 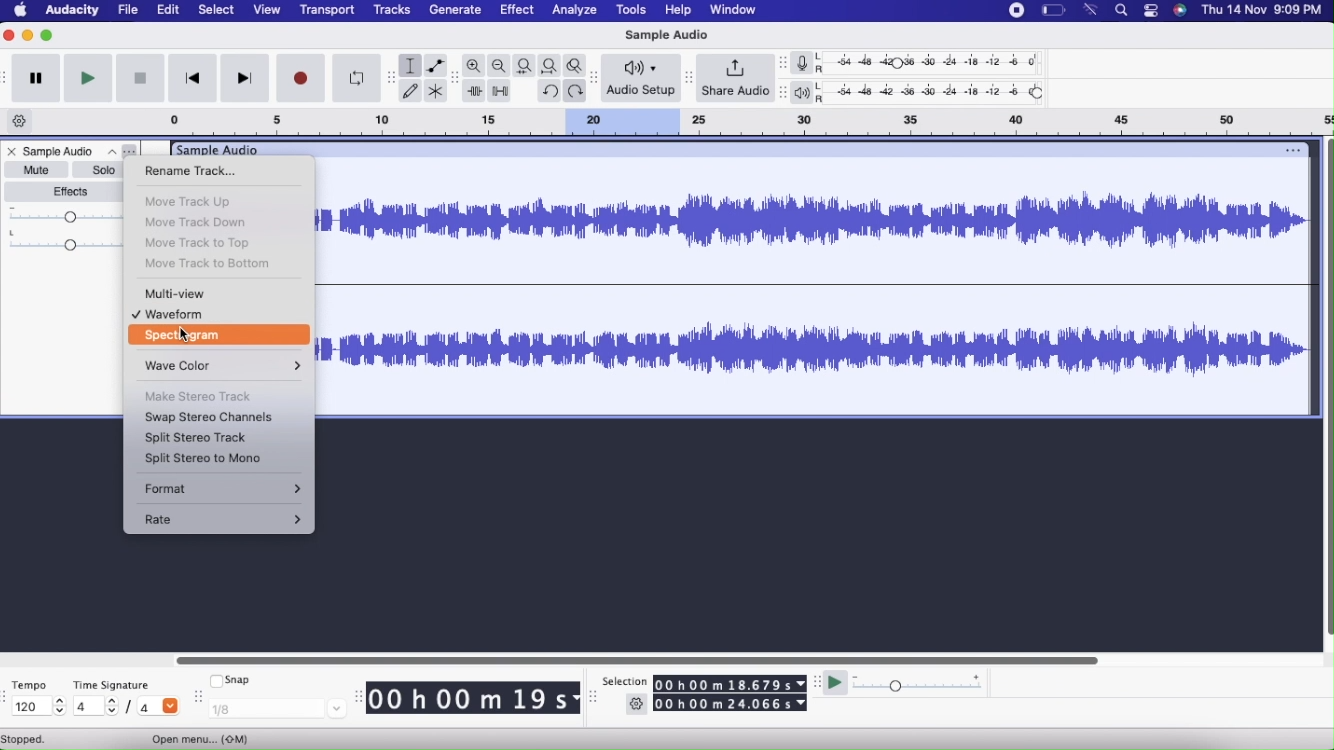 I want to click on Skip to start, so click(x=193, y=77).